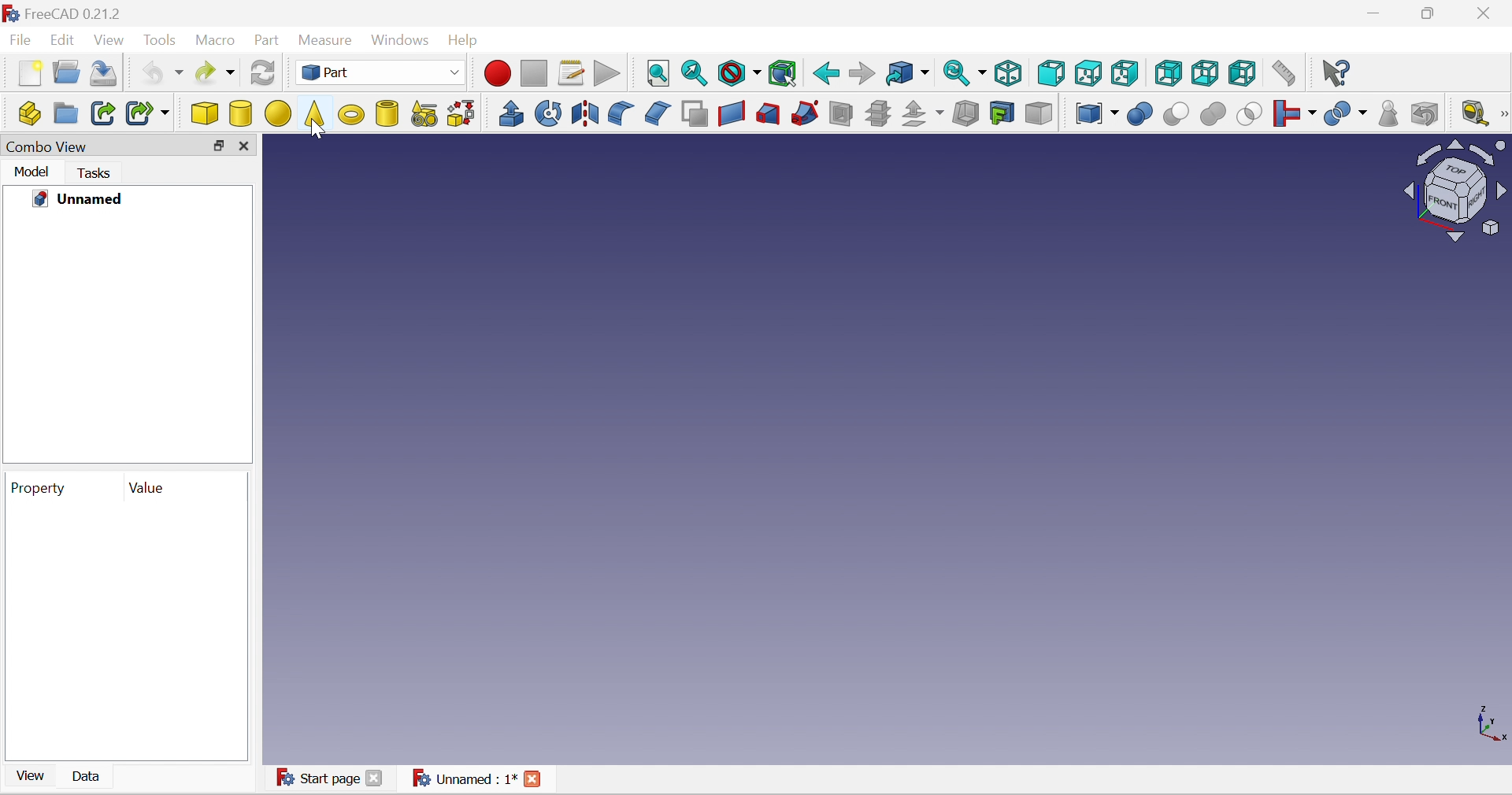  I want to click on Tools, so click(163, 42).